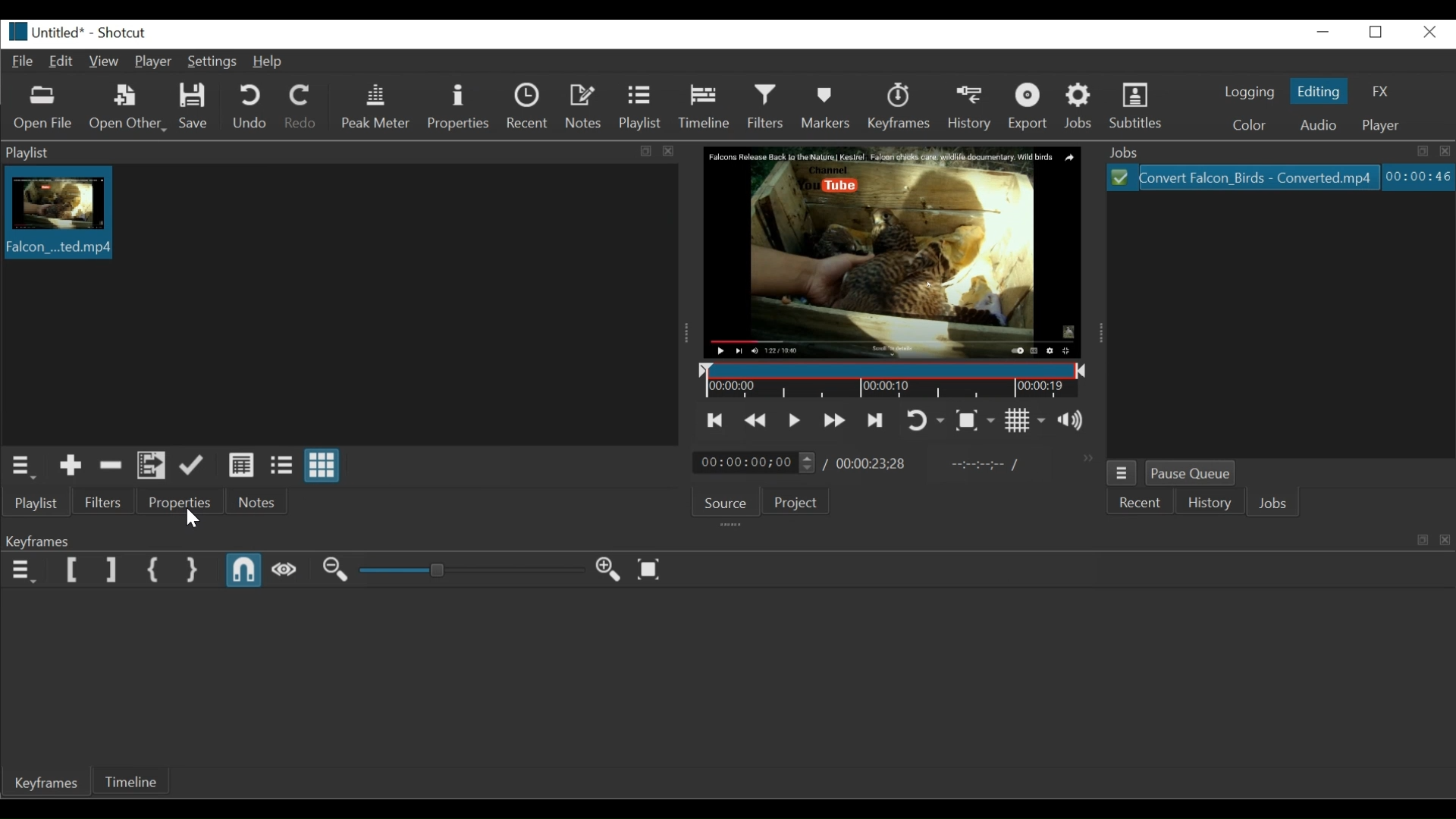  I want to click on File name, so click(47, 33).